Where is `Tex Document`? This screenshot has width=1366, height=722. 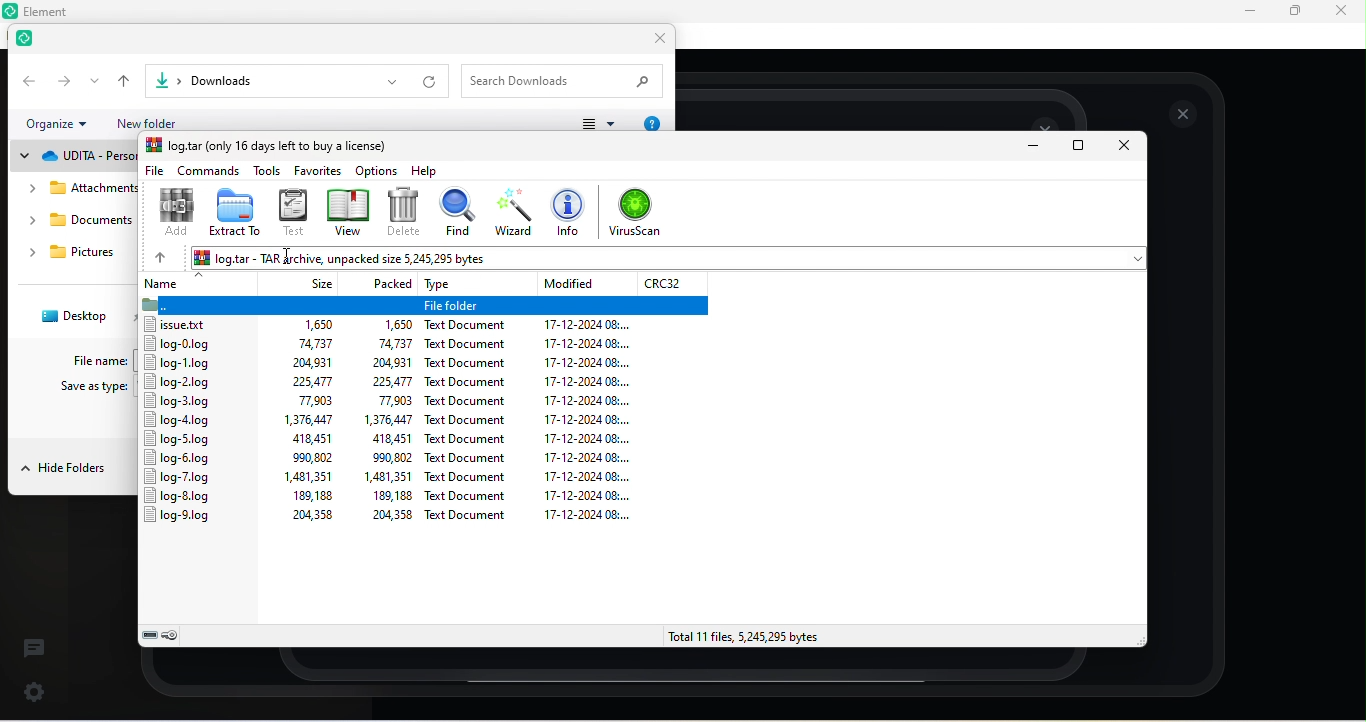 Tex Document is located at coordinates (467, 326).